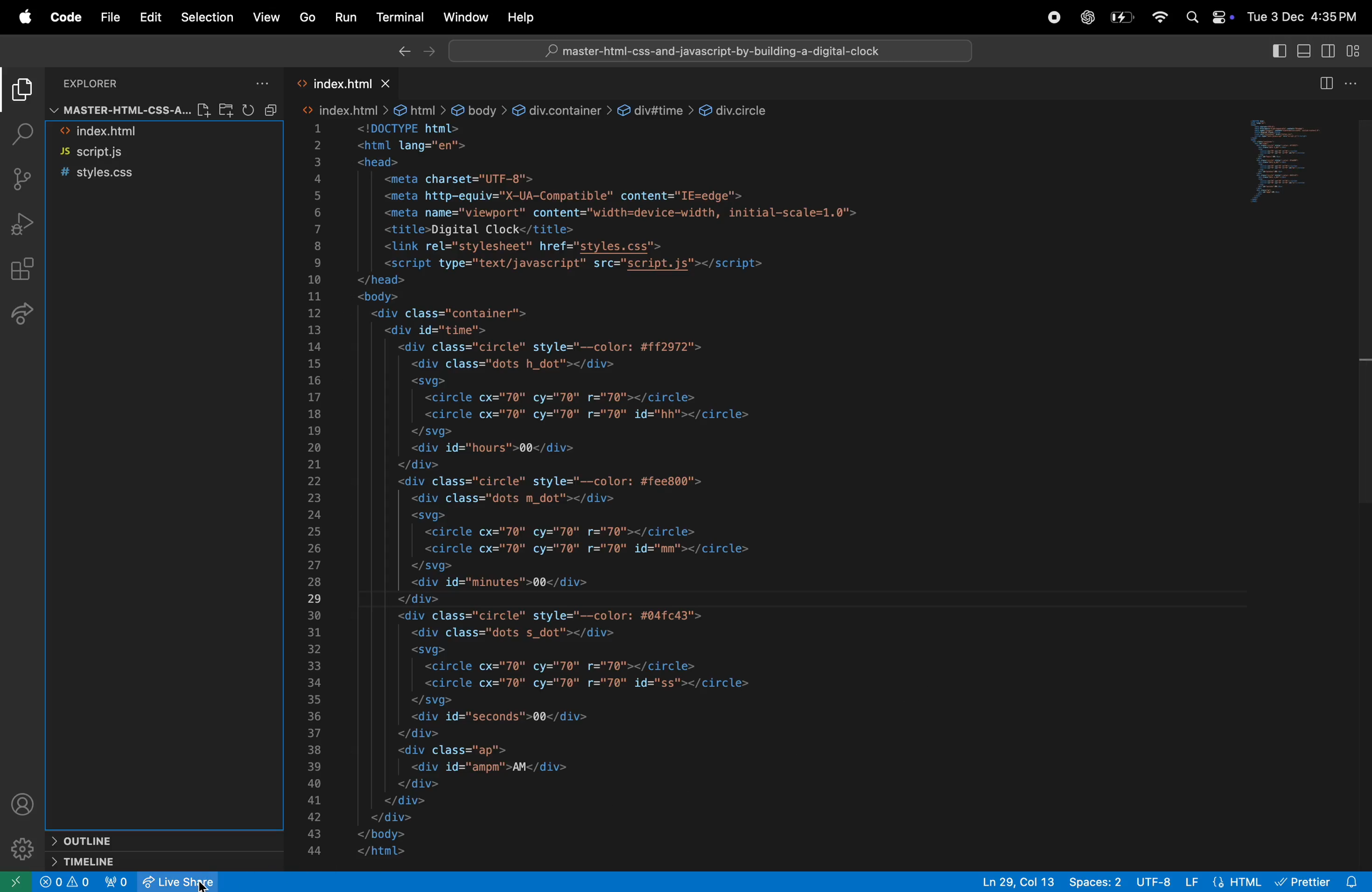  What do you see at coordinates (467, 17) in the screenshot?
I see `windows` at bounding box center [467, 17].